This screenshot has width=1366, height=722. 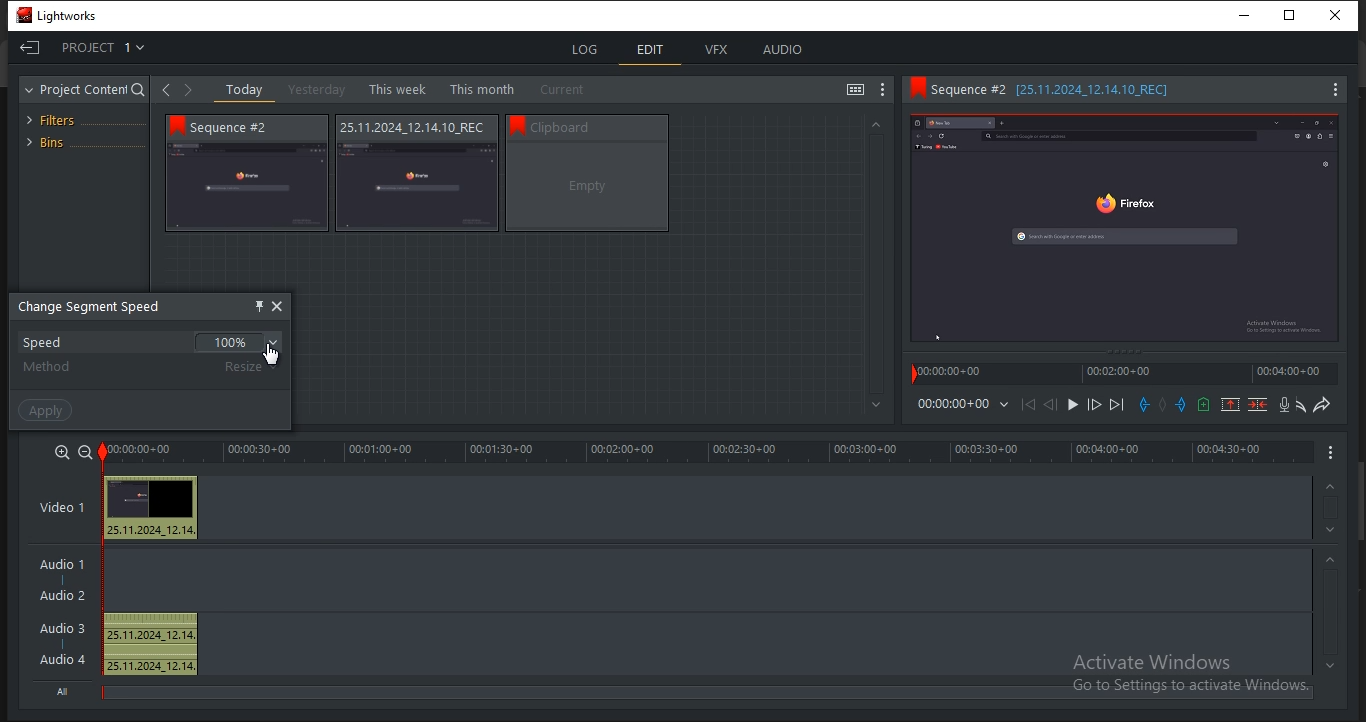 I want to click on remove a marked section, so click(x=1231, y=405).